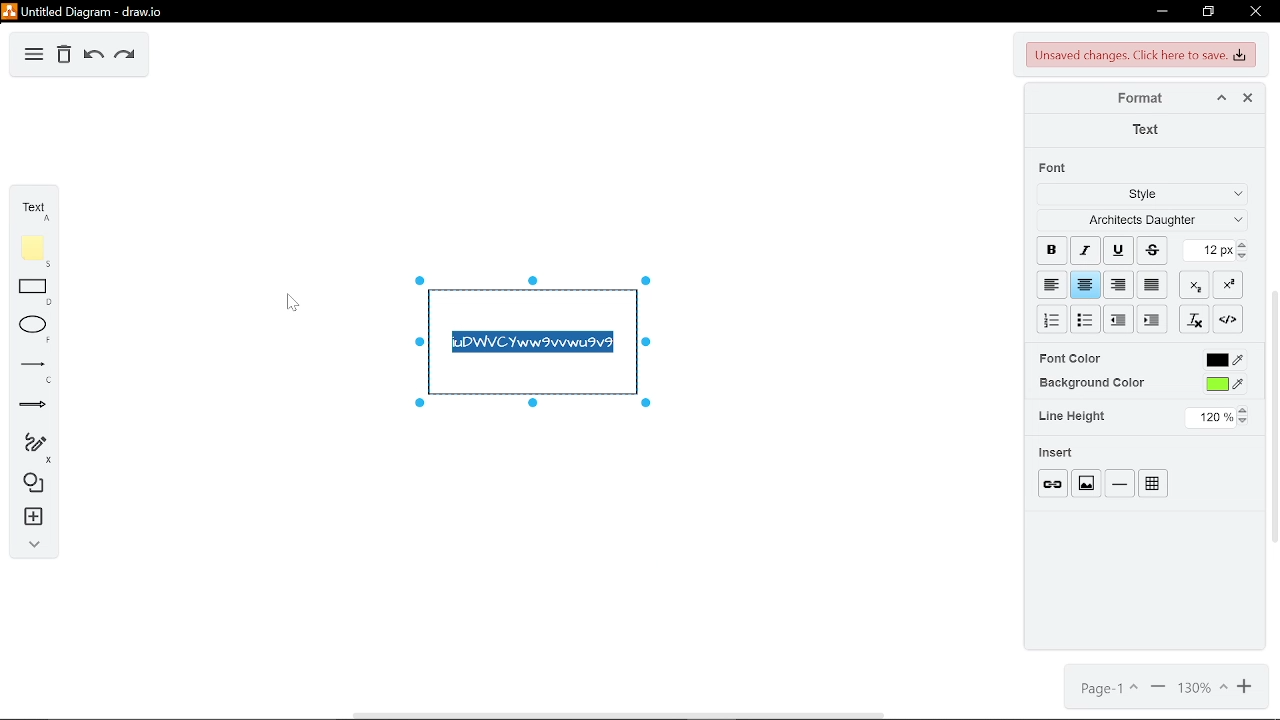  Describe the element at coordinates (1118, 483) in the screenshot. I see `insert horizontal rule` at that location.